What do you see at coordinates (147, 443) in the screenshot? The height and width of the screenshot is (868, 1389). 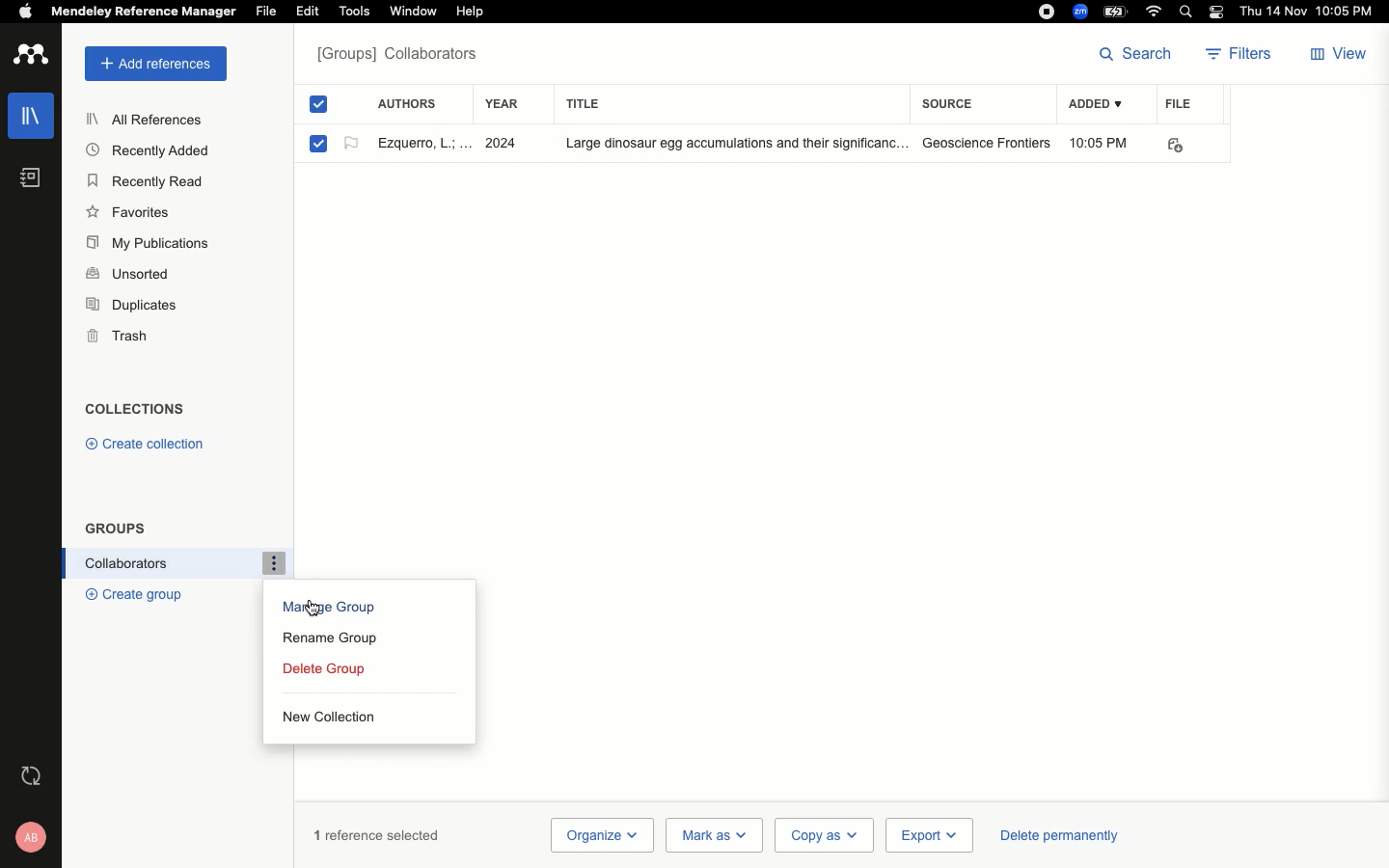 I see `Create collection` at bounding box center [147, 443].